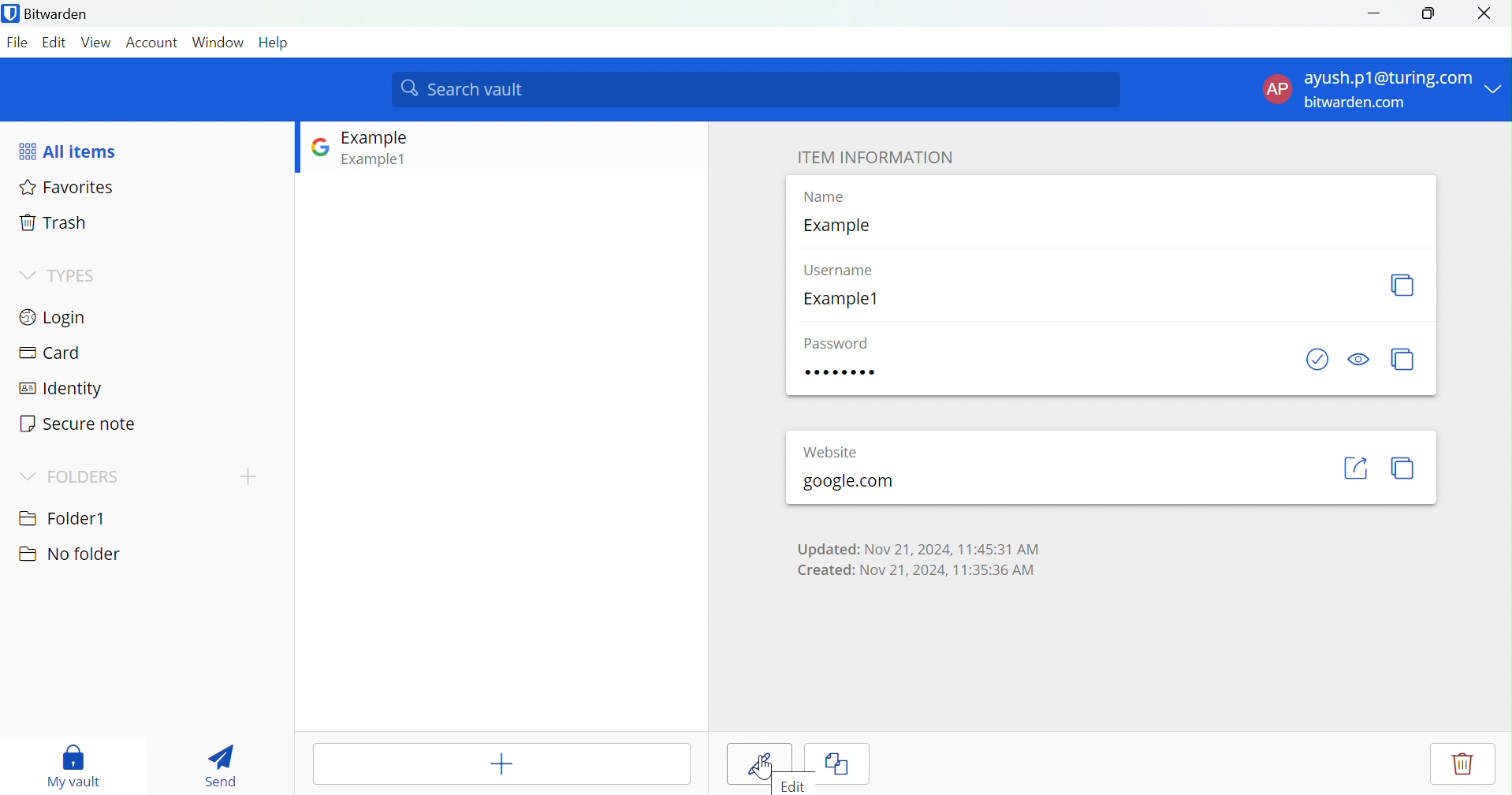  What do you see at coordinates (874, 150) in the screenshot?
I see `ITEM INFORMATION` at bounding box center [874, 150].